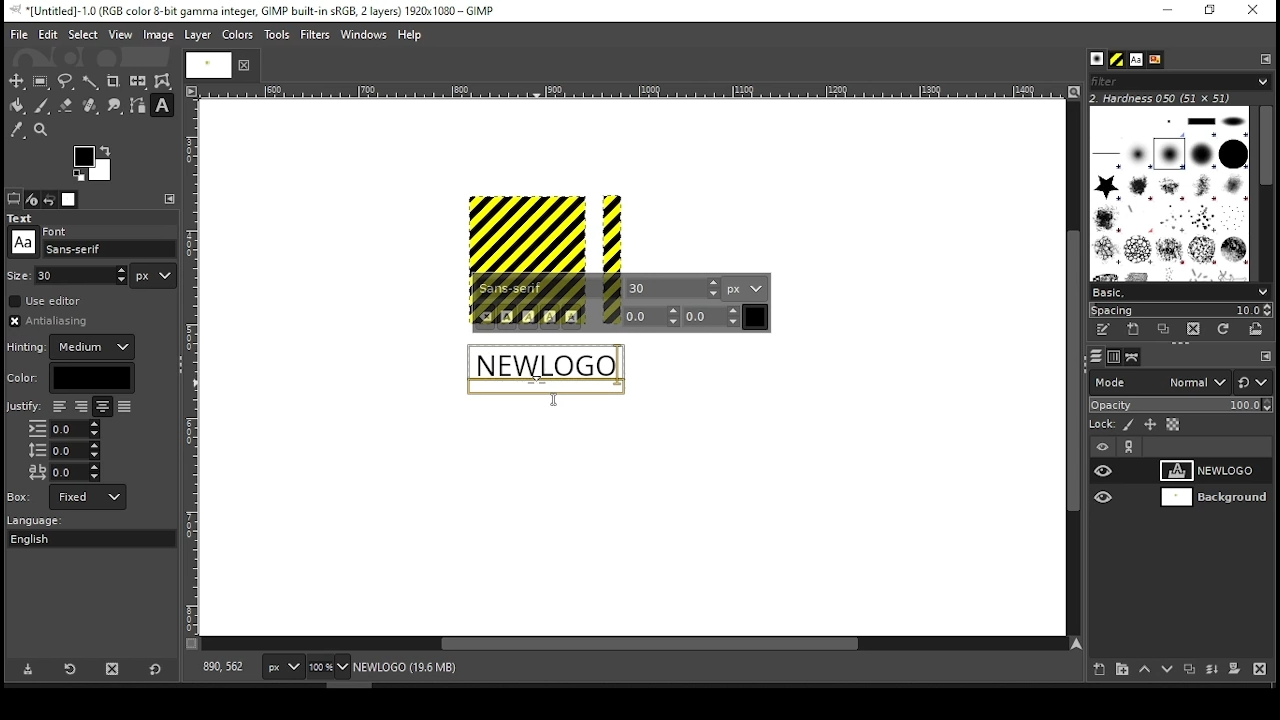 Image resolution: width=1280 pixels, height=720 pixels. What do you see at coordinates (1104, 470) in the screenshot?
I see `layer visibility on/off` at bounding box center [1104, 470].